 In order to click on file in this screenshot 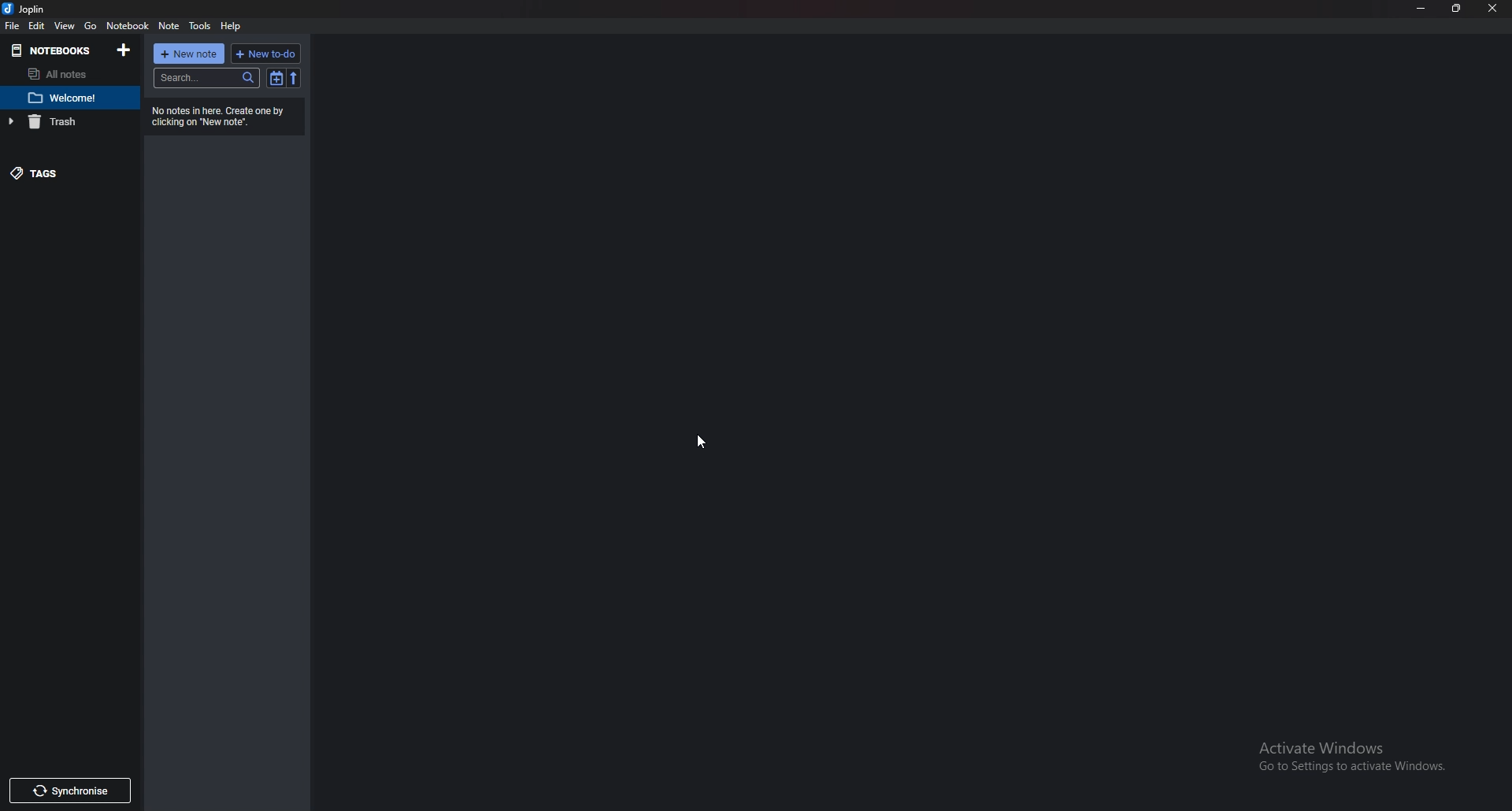, I will do `click(15, 24)`.